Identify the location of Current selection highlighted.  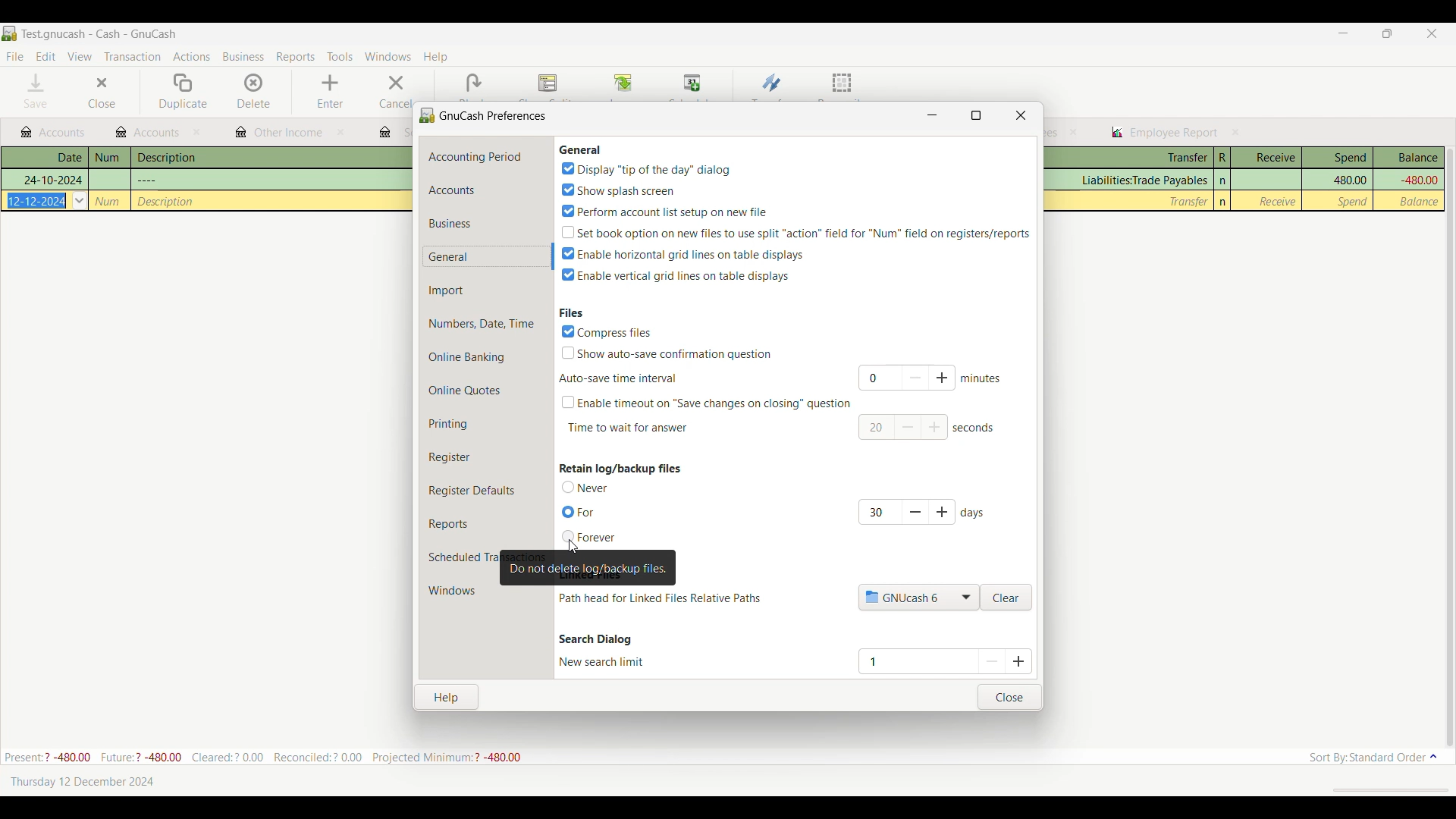
(488, 256).